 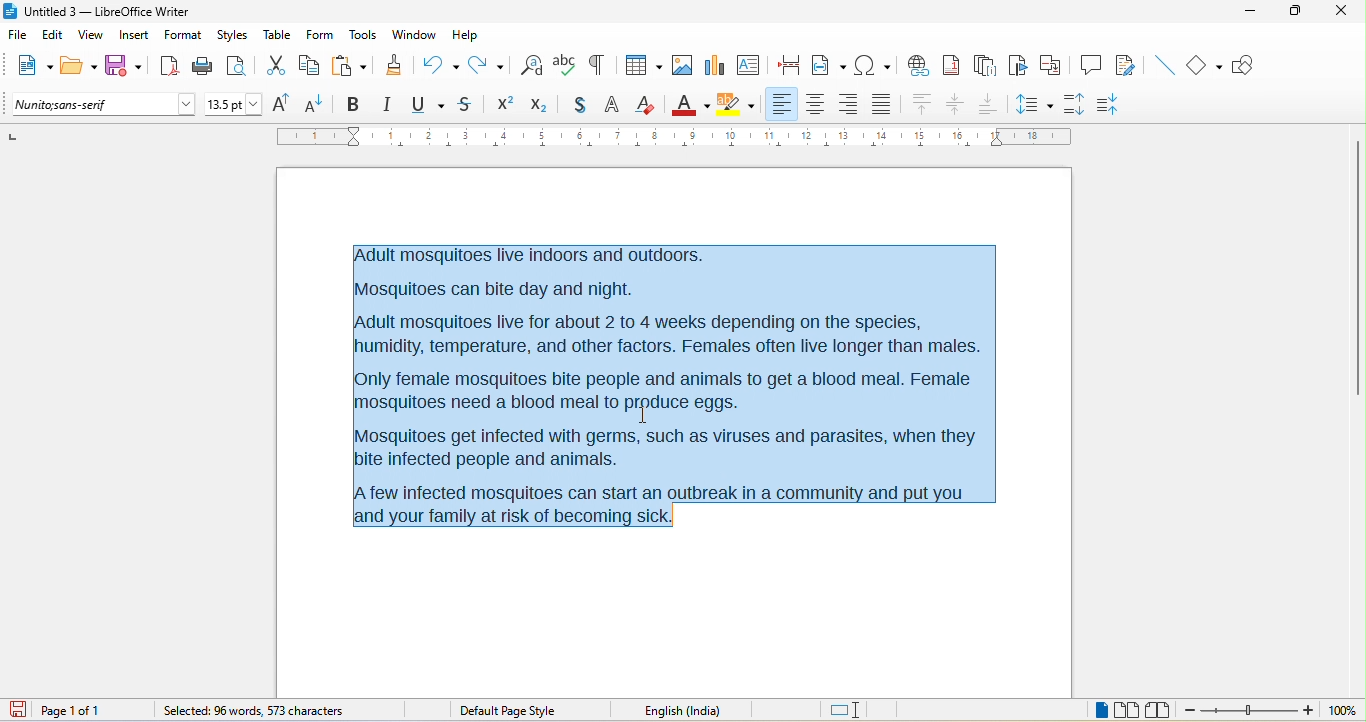 I want to click on undo, so click(x=441, y=63).